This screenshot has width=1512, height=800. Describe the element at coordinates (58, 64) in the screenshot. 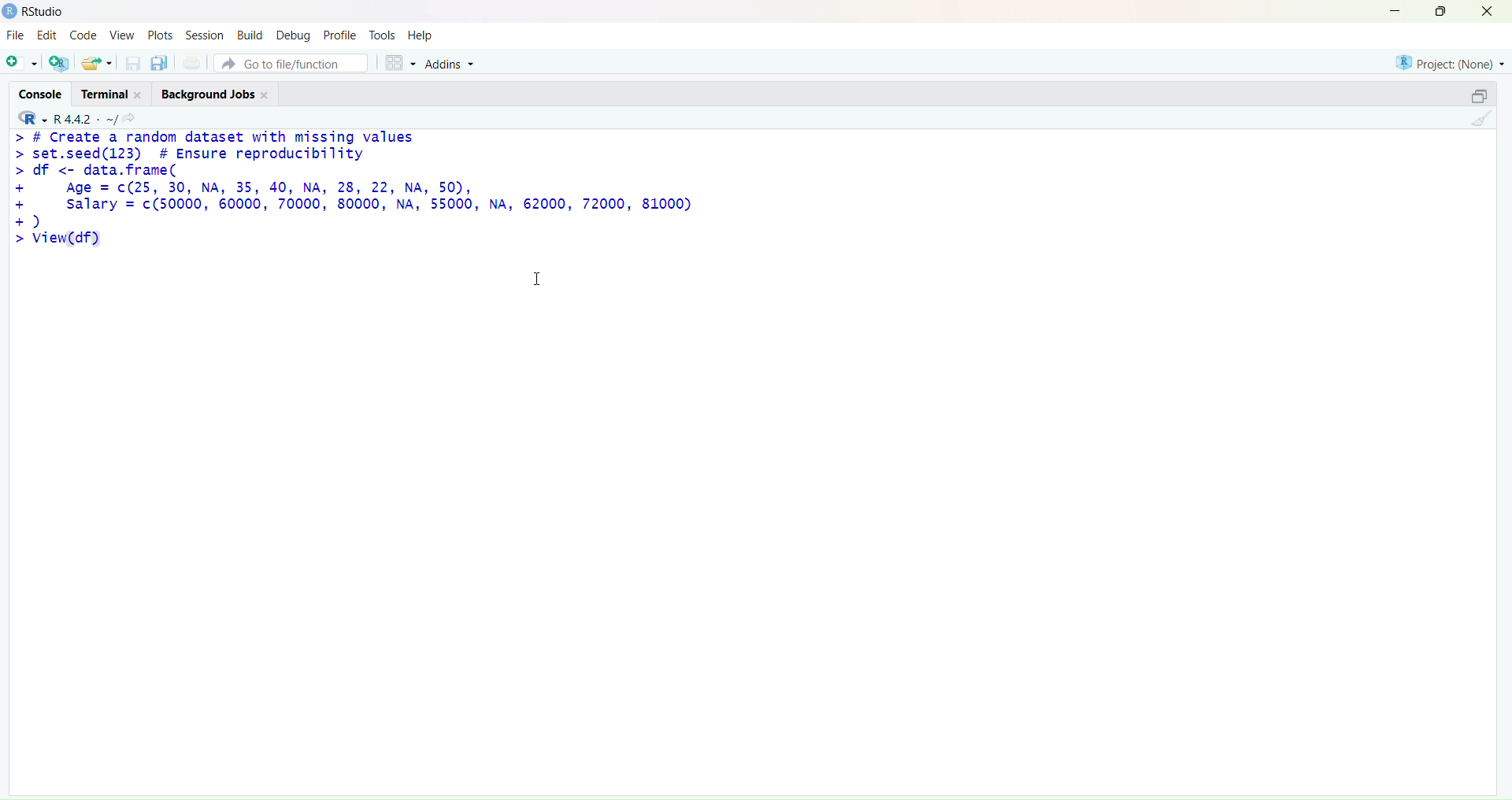

I see `create a new project` at that location.